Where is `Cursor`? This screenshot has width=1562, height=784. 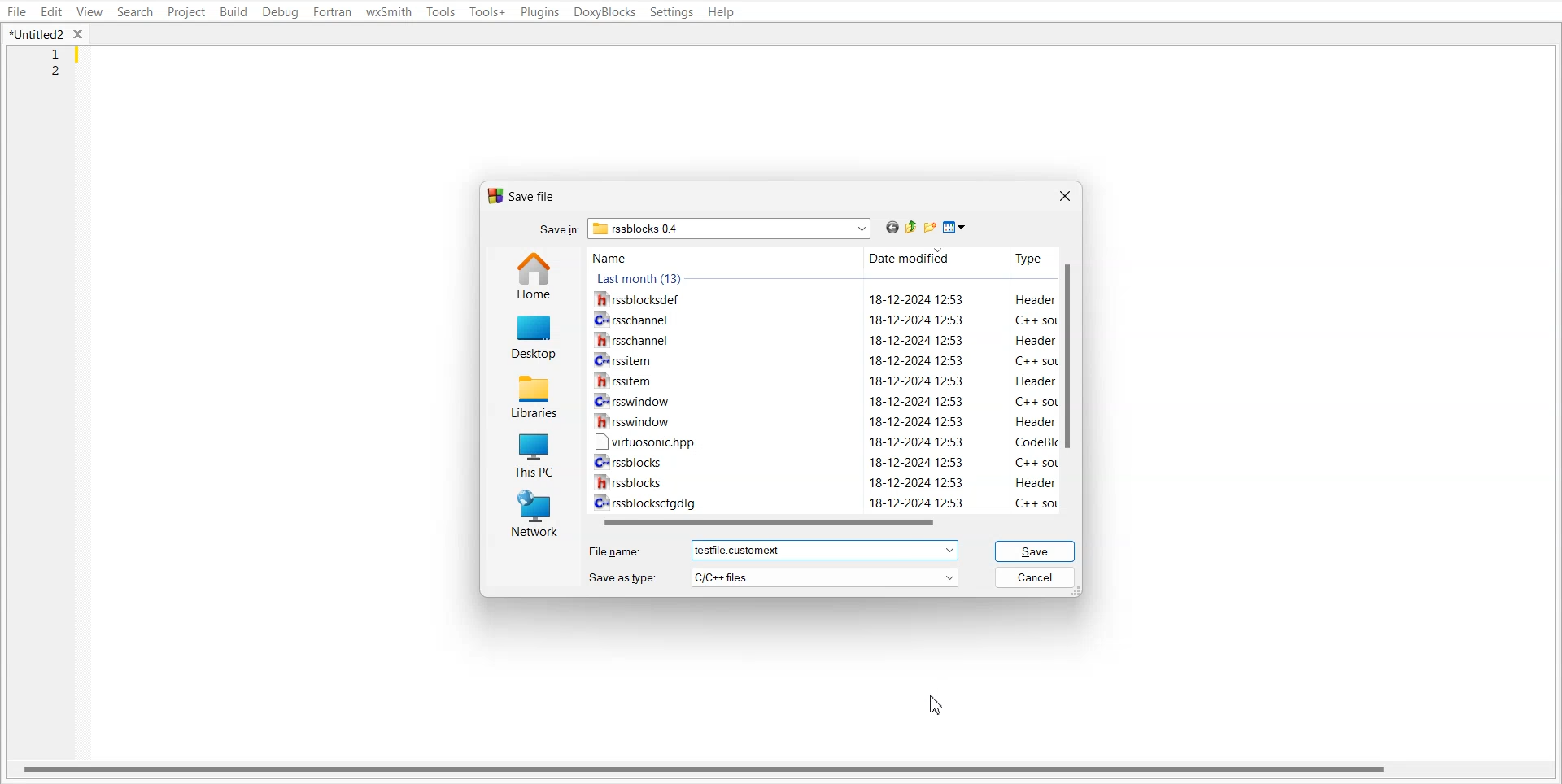
Cursor is located at coordinates (936, 703).